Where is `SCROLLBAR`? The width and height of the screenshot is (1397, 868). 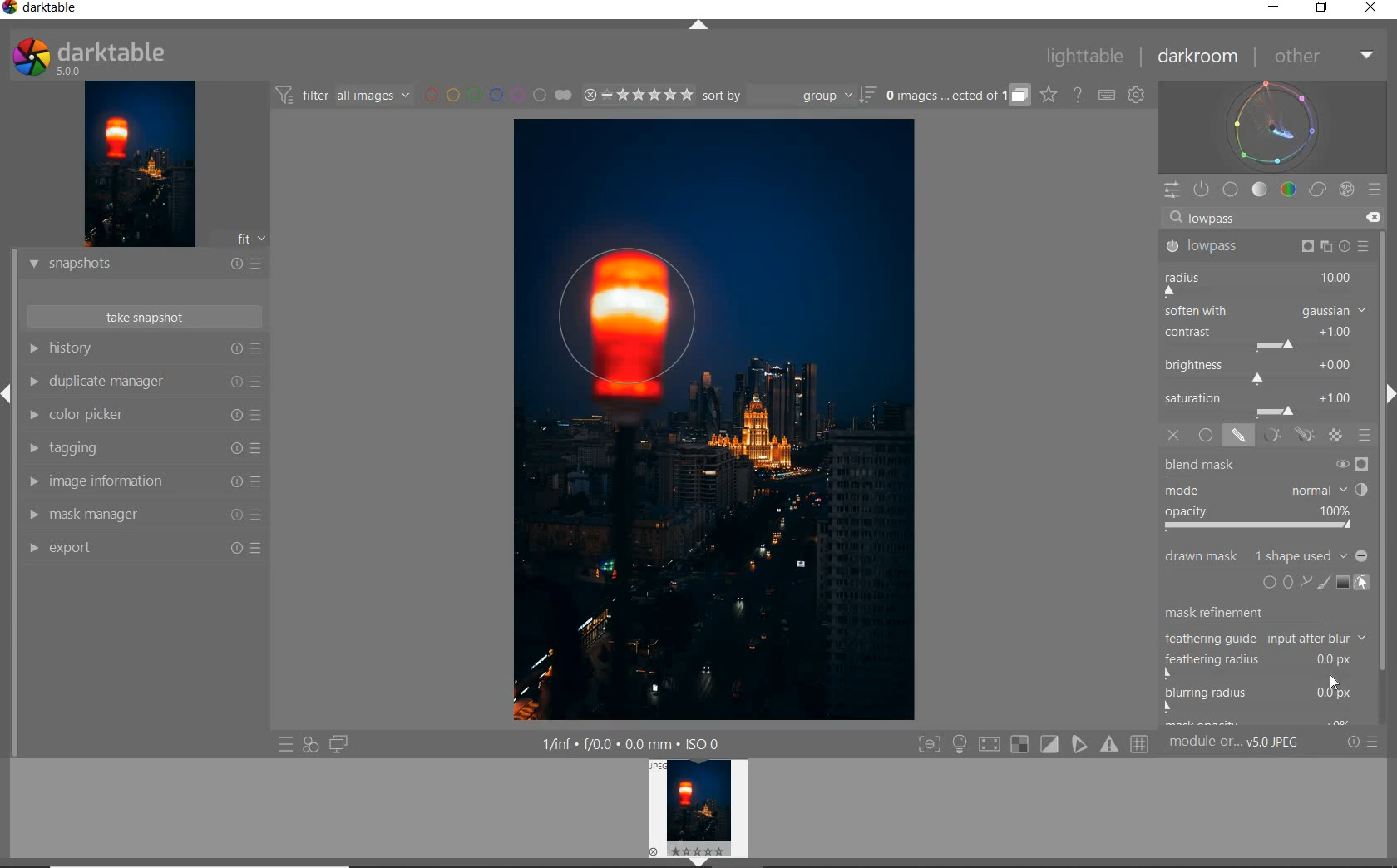 SCROLLBAR is located at coordinates (1389, 475).